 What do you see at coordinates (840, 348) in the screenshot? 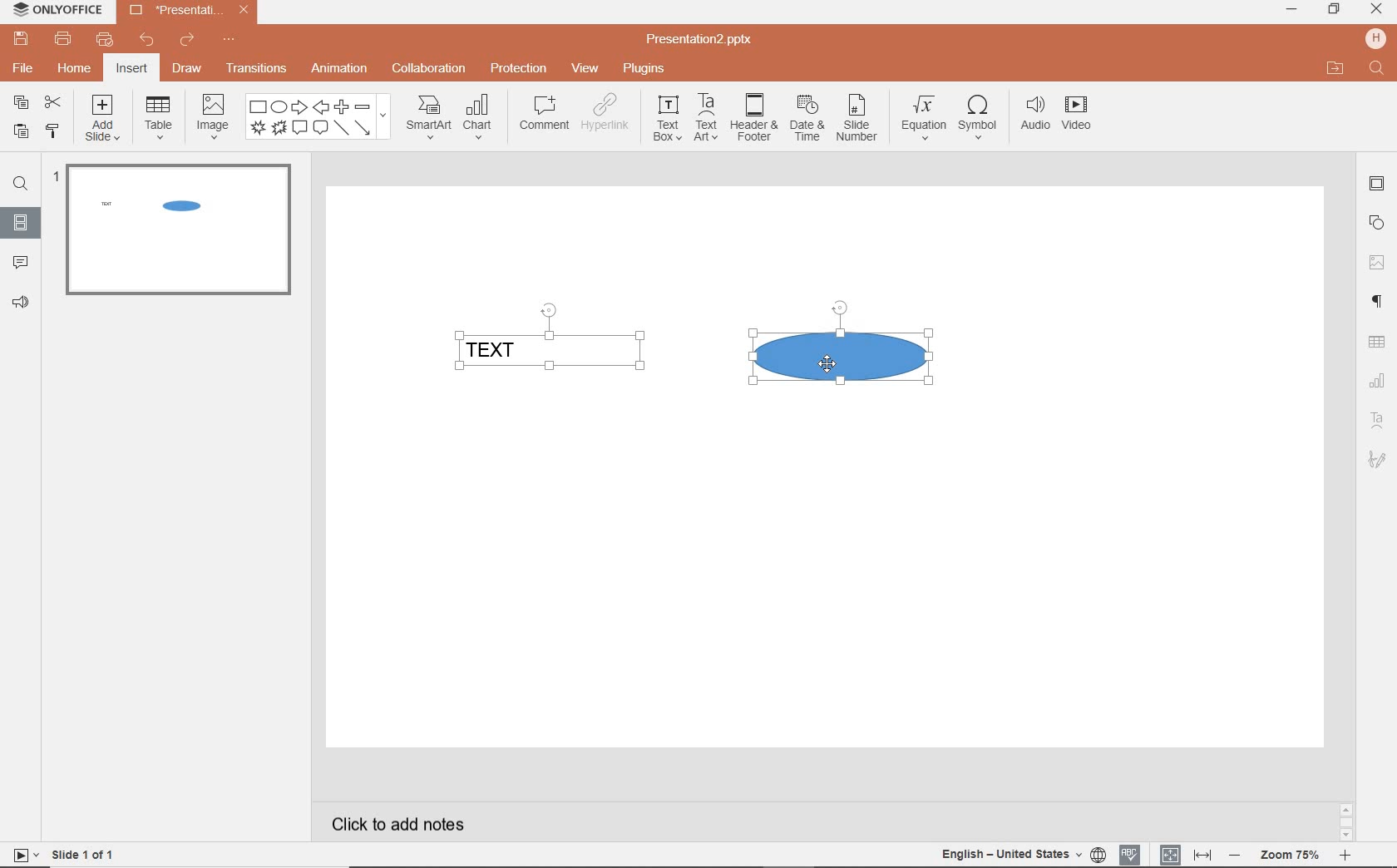
I see `SHAPE SELECTED` at bounding box center [840, 348].